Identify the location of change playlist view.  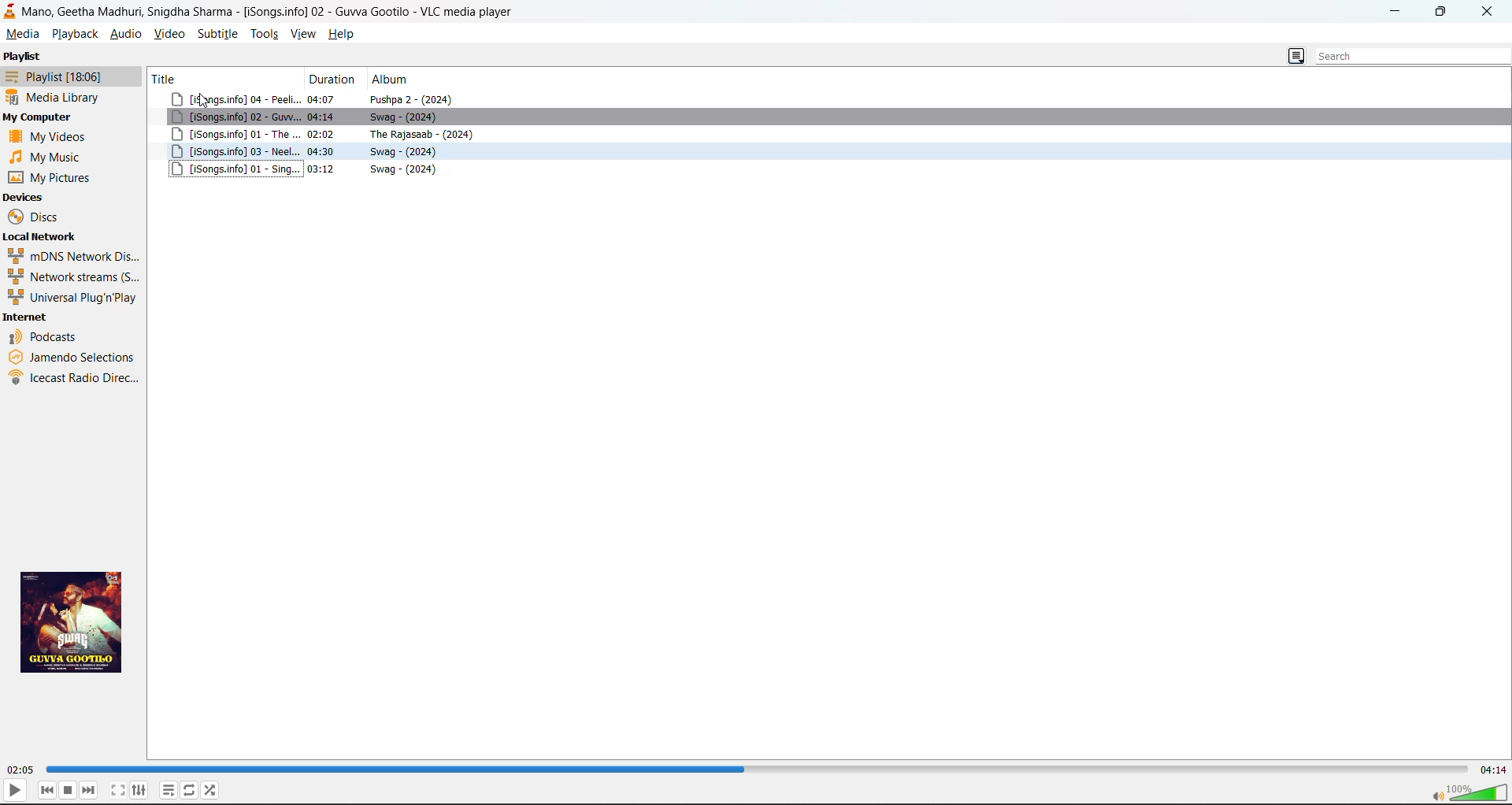
(1295, 57).